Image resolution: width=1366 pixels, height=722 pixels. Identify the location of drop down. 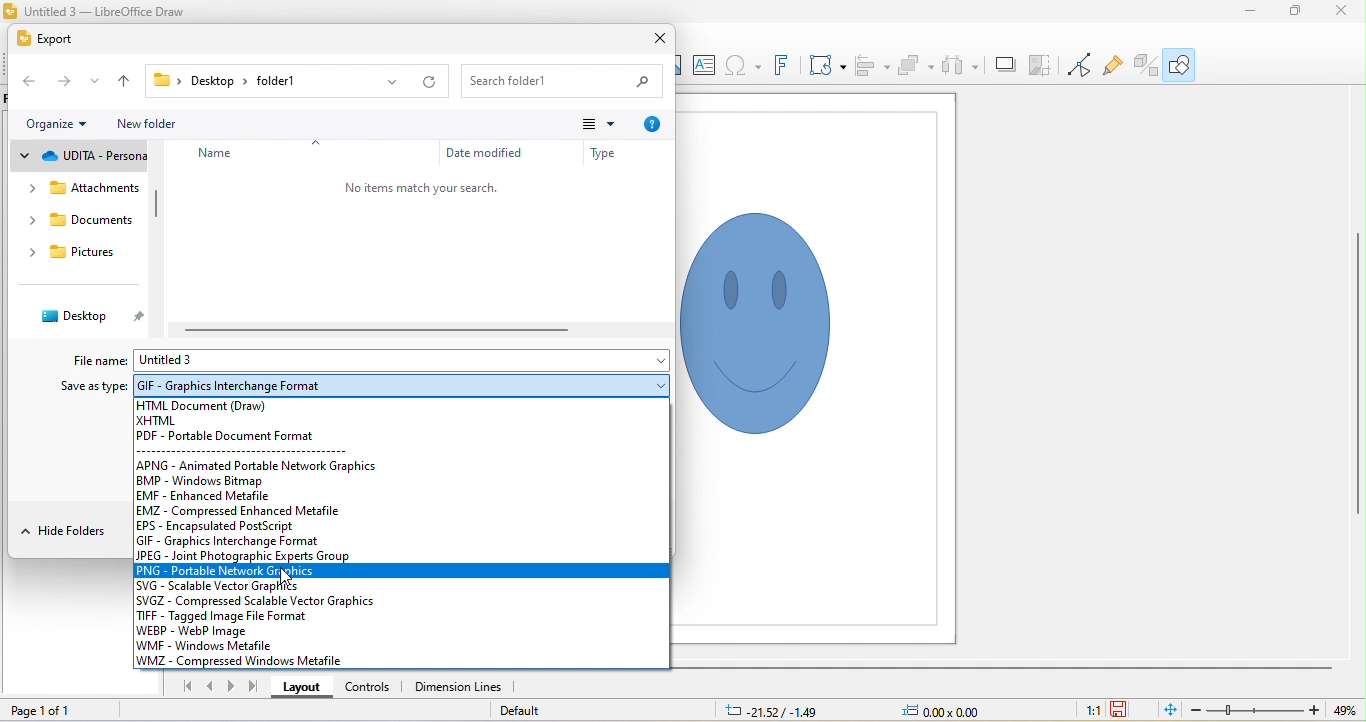
(32, 188).